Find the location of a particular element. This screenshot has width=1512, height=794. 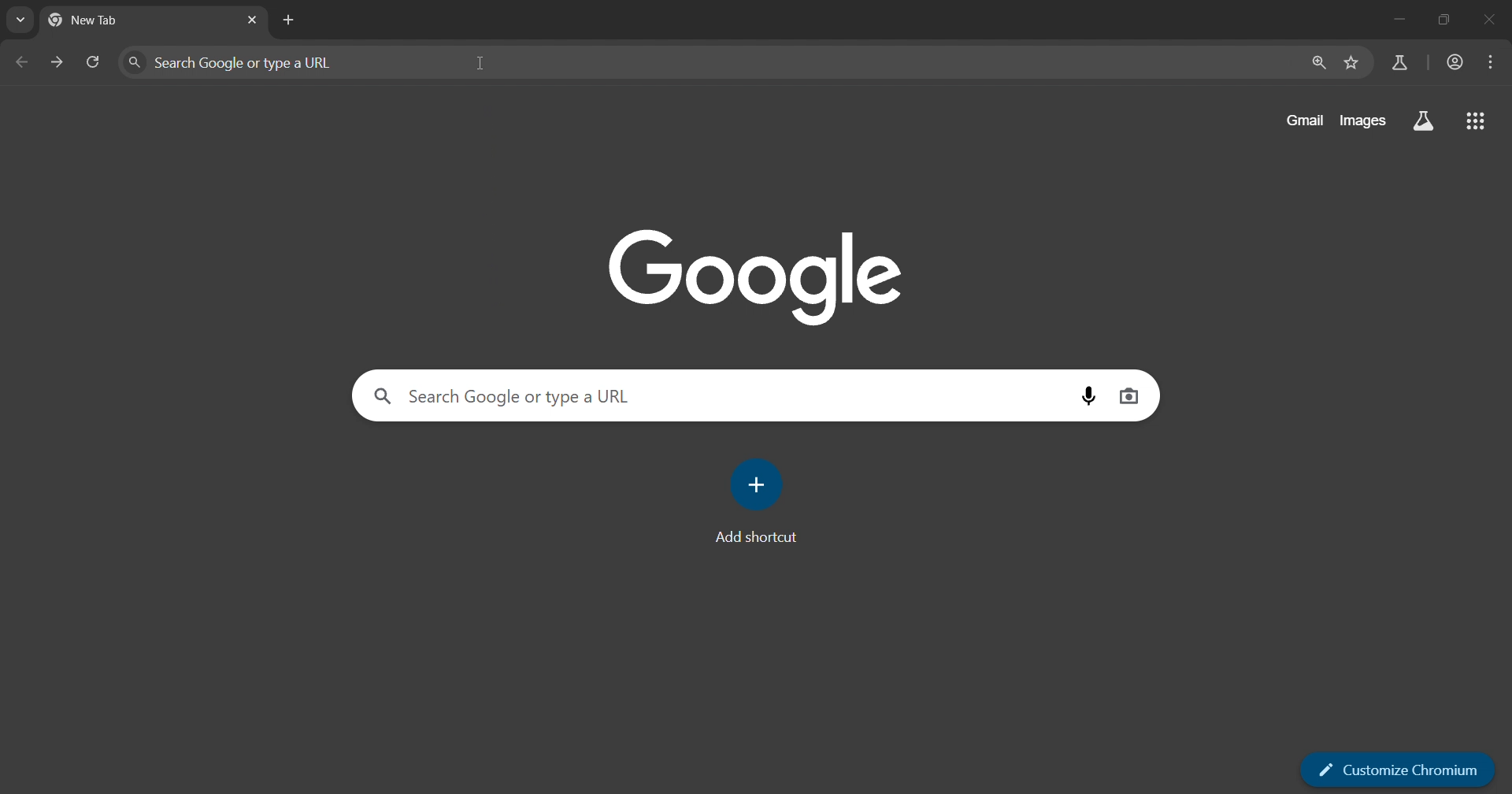

new tab is located at coordinates (119, 21).